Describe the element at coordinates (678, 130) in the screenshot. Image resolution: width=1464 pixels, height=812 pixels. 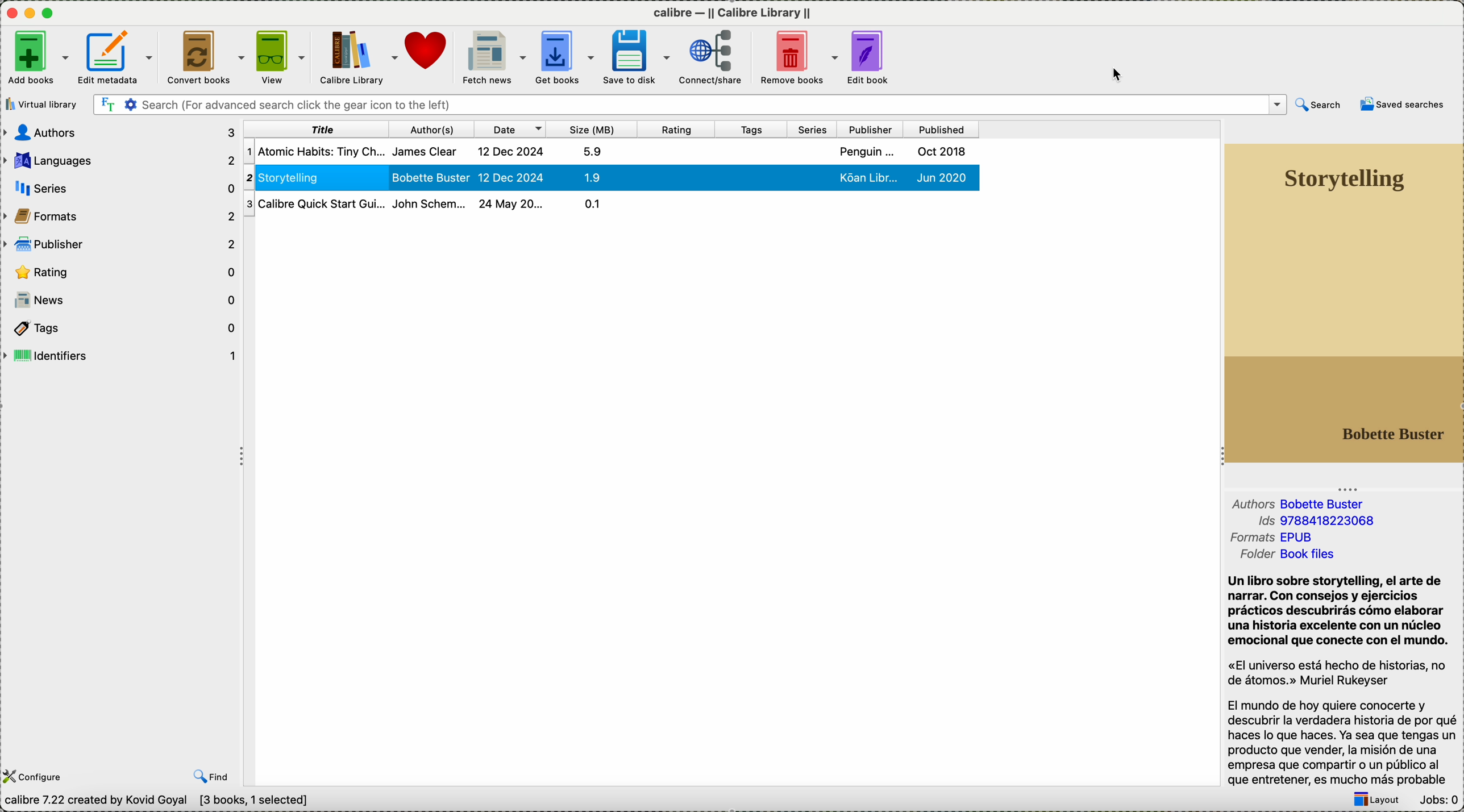
I see `rating` at that location.